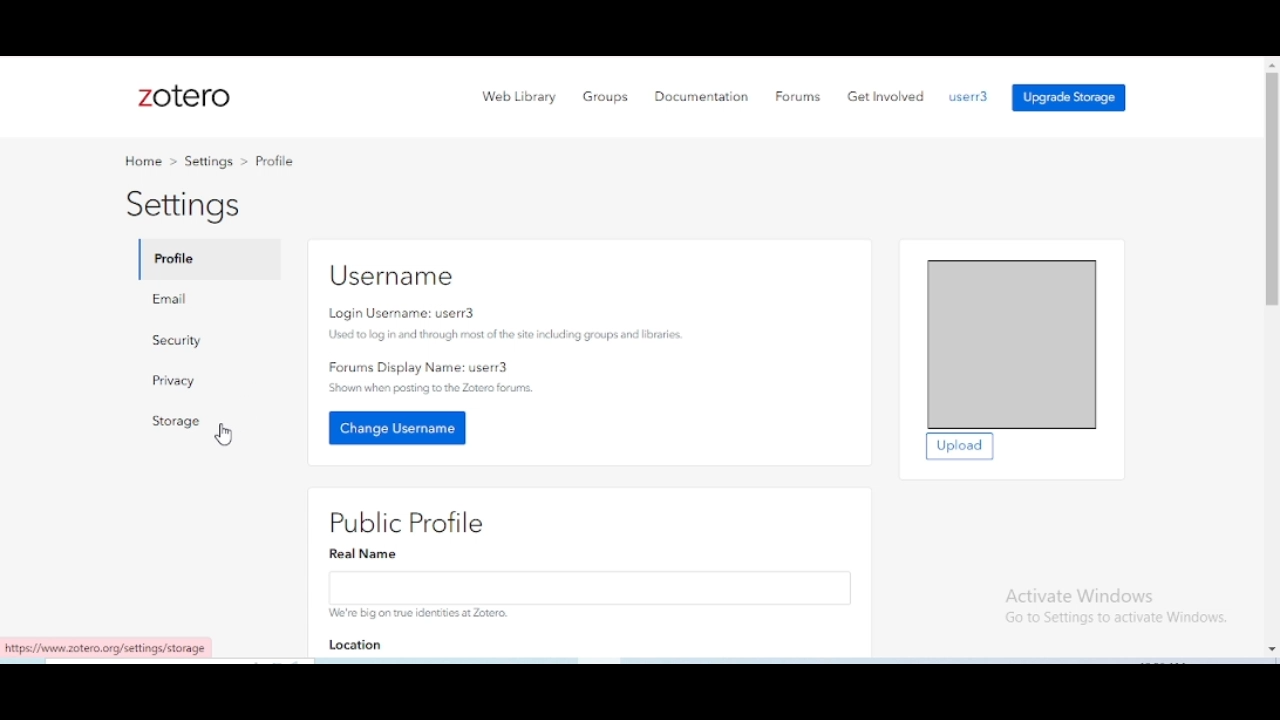 The image size is (1280, 720). What do you see at coordinates (701, 96) in the screenshot?
I see `documentation` at bounding box center [701, 96].